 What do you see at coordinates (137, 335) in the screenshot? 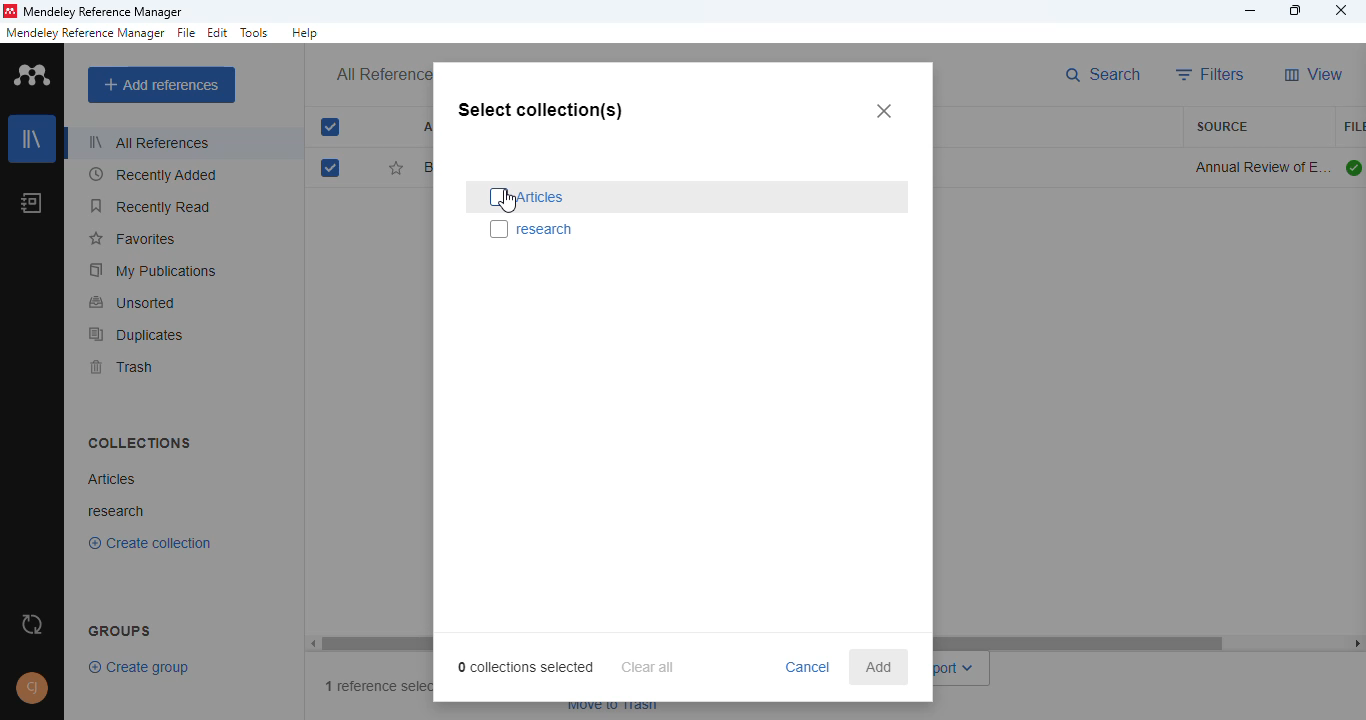
I see `duplicates` at bounding box center [137, 335].